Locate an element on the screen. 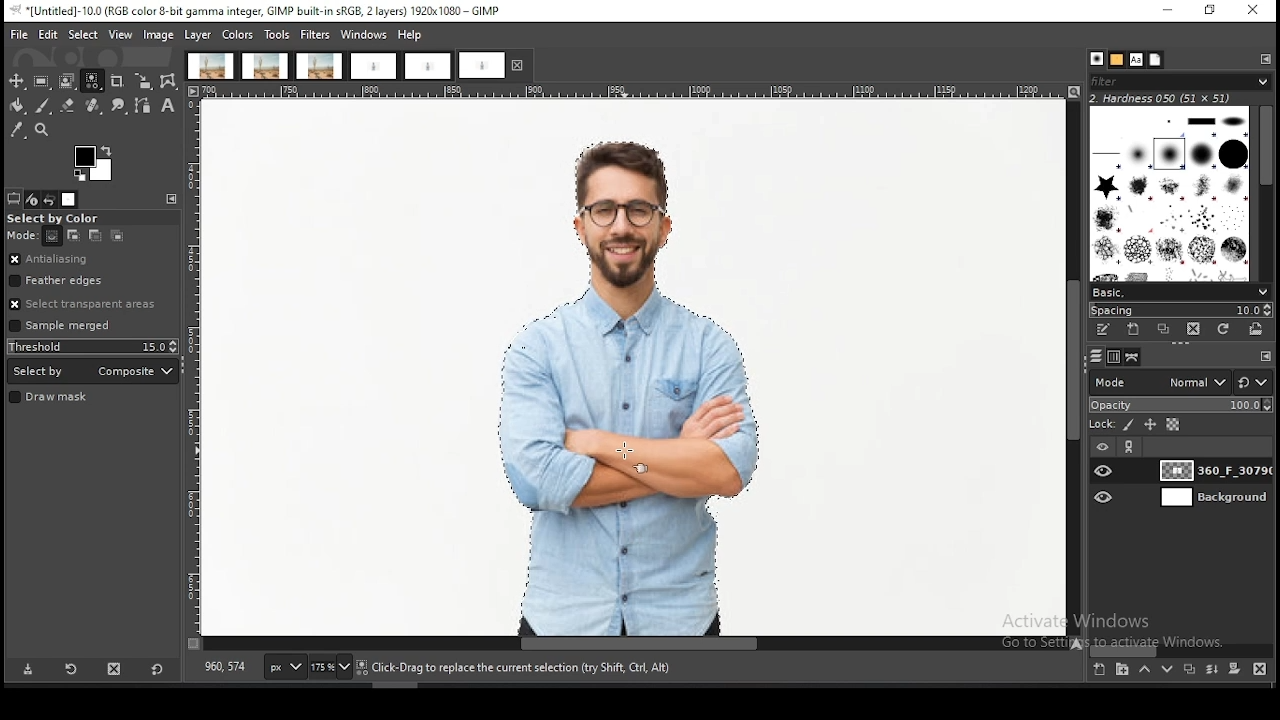  scroll bar is located at coordinates (1182, 650).